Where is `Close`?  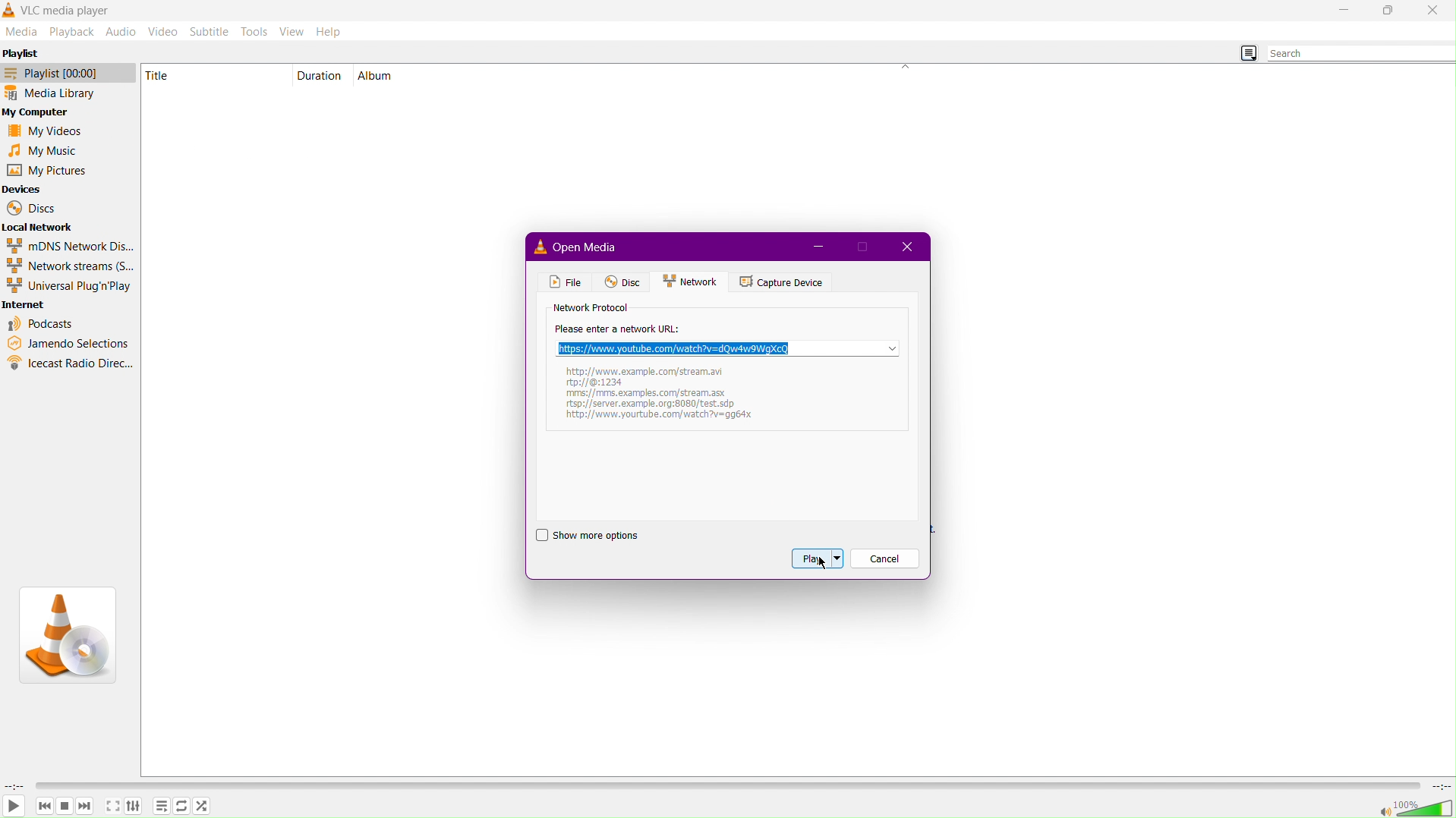 Close is located at coordinates (1433, 11).